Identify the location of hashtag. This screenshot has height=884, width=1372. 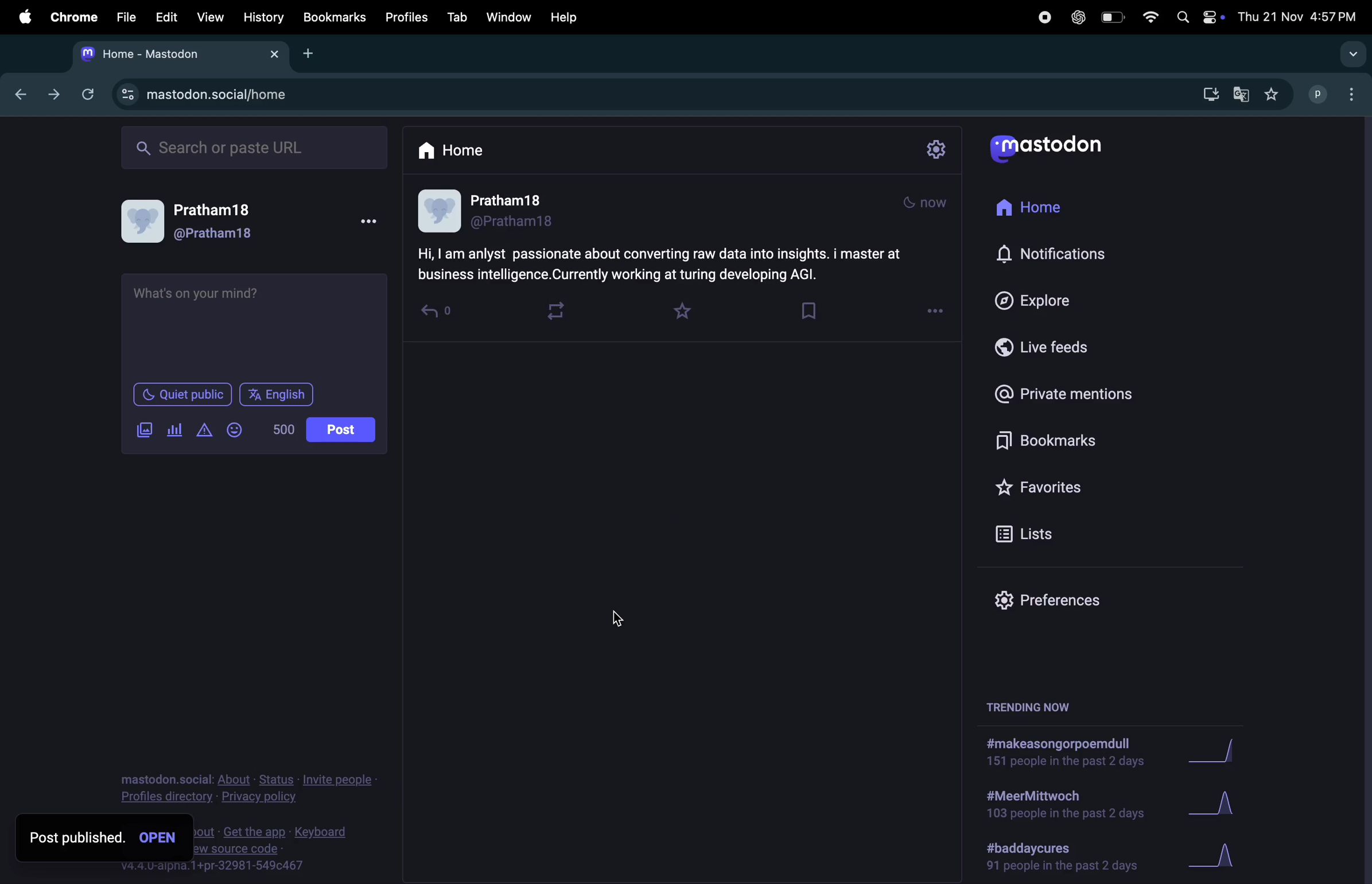
(1057, 807).